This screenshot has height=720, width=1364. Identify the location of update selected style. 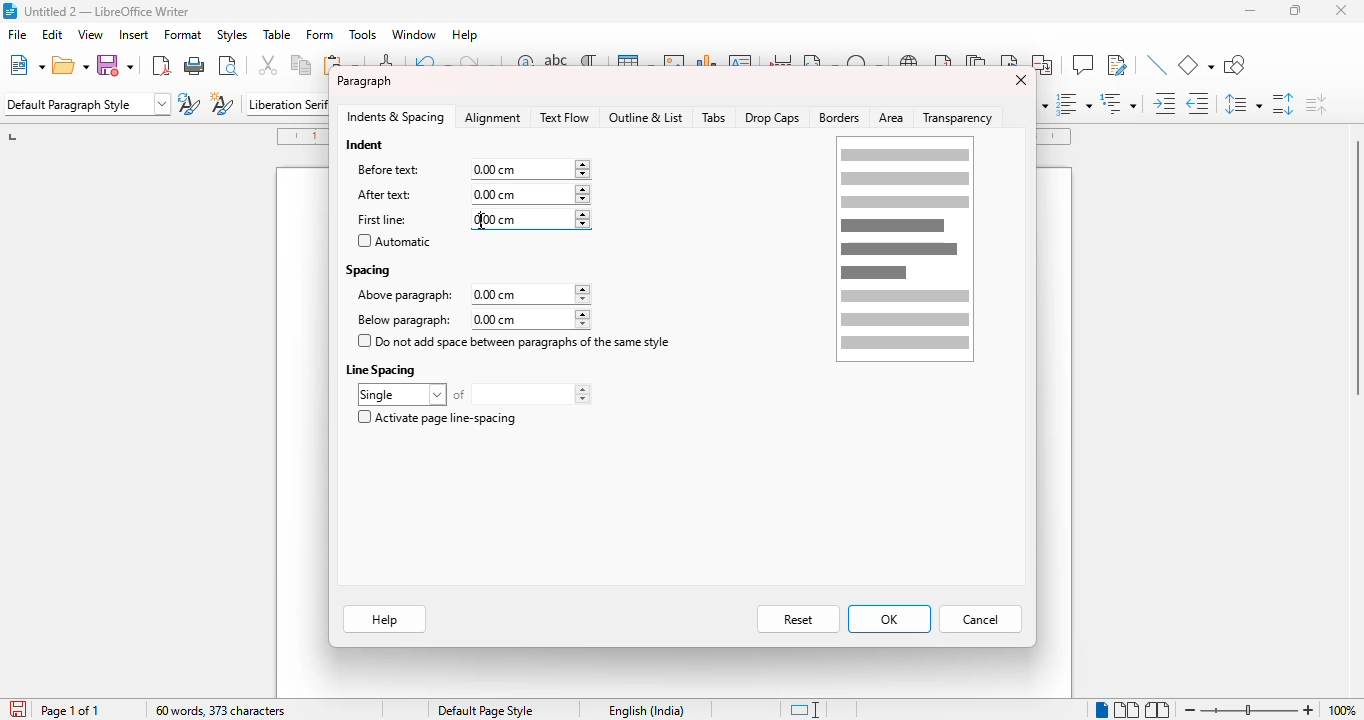
(189, 103).